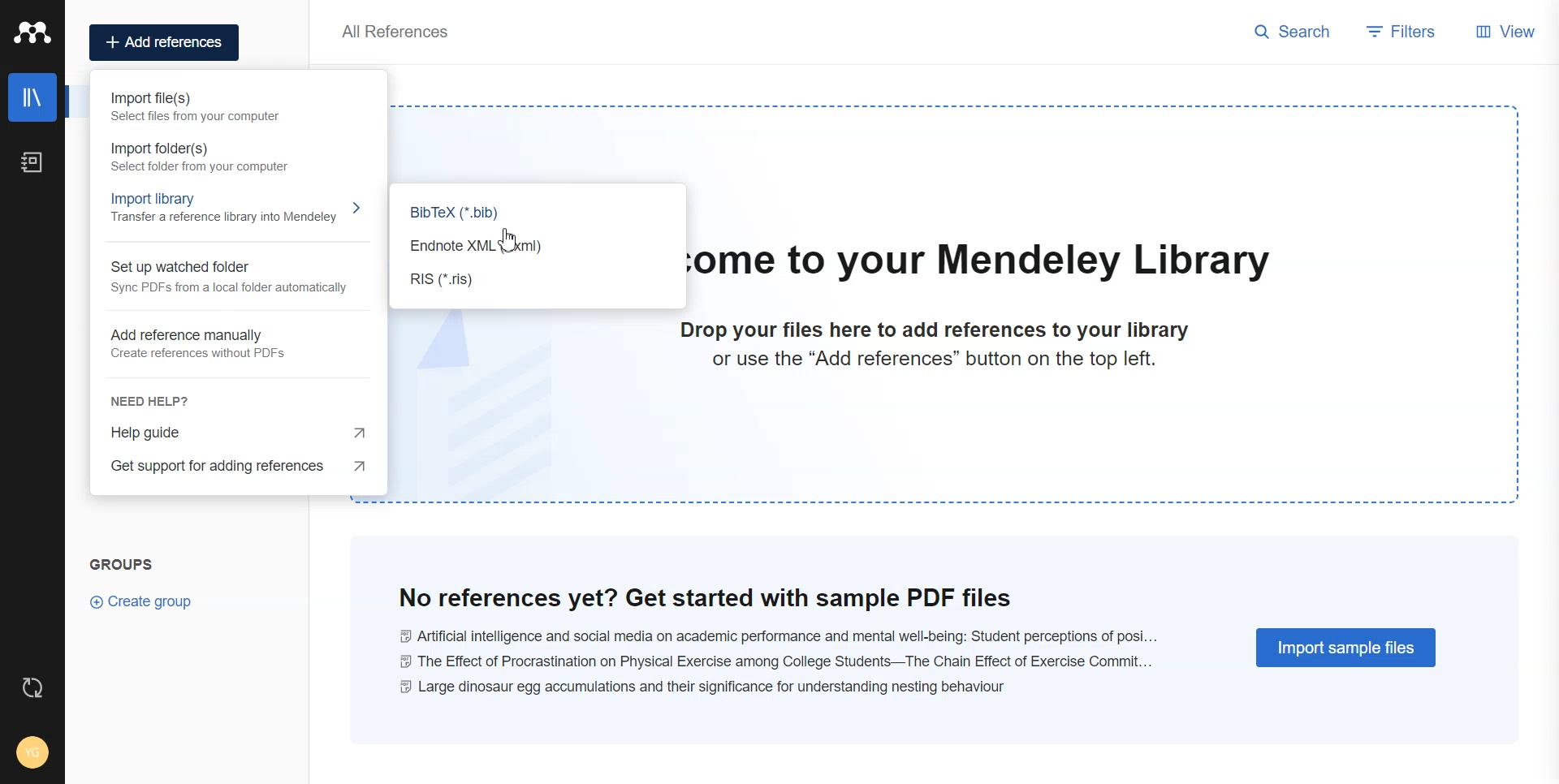 The width and height of the screenshot is (1559, 784). I want to click on Notebook, so click(34, 162).